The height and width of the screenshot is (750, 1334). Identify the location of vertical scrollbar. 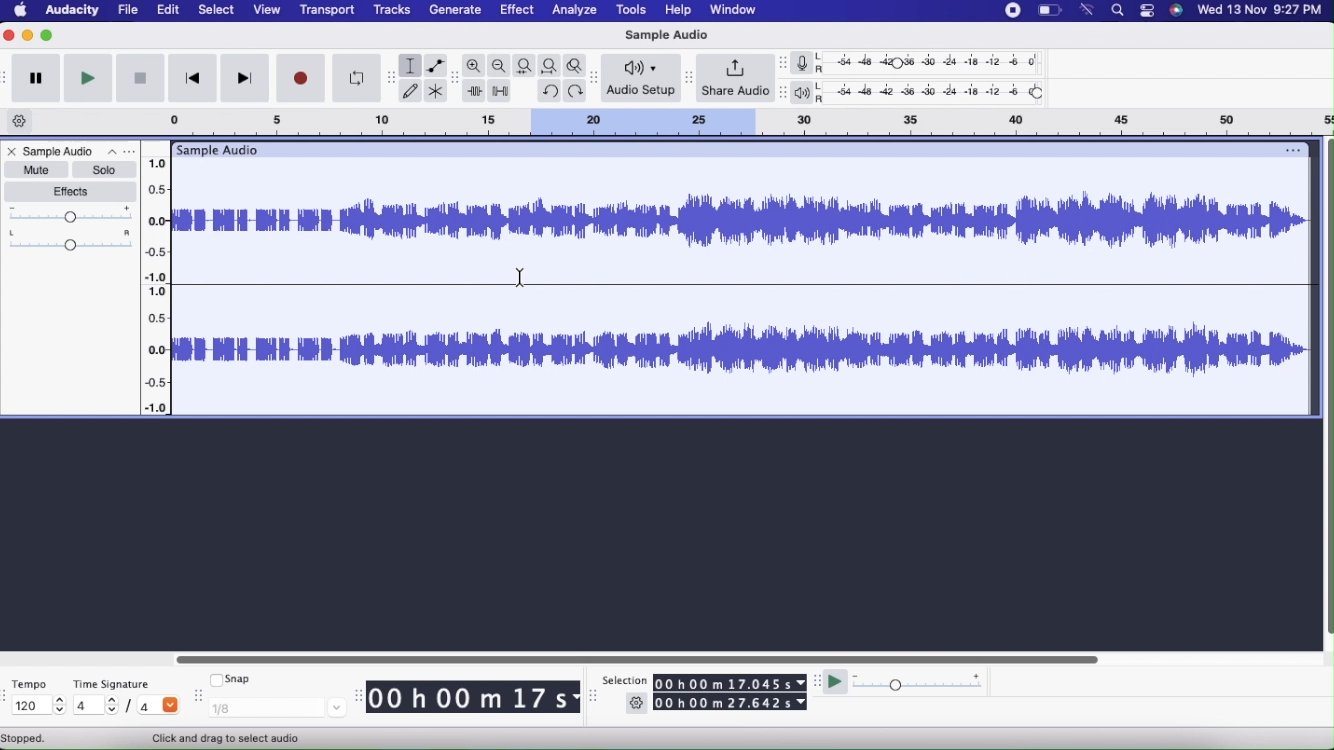
(1326, 388).